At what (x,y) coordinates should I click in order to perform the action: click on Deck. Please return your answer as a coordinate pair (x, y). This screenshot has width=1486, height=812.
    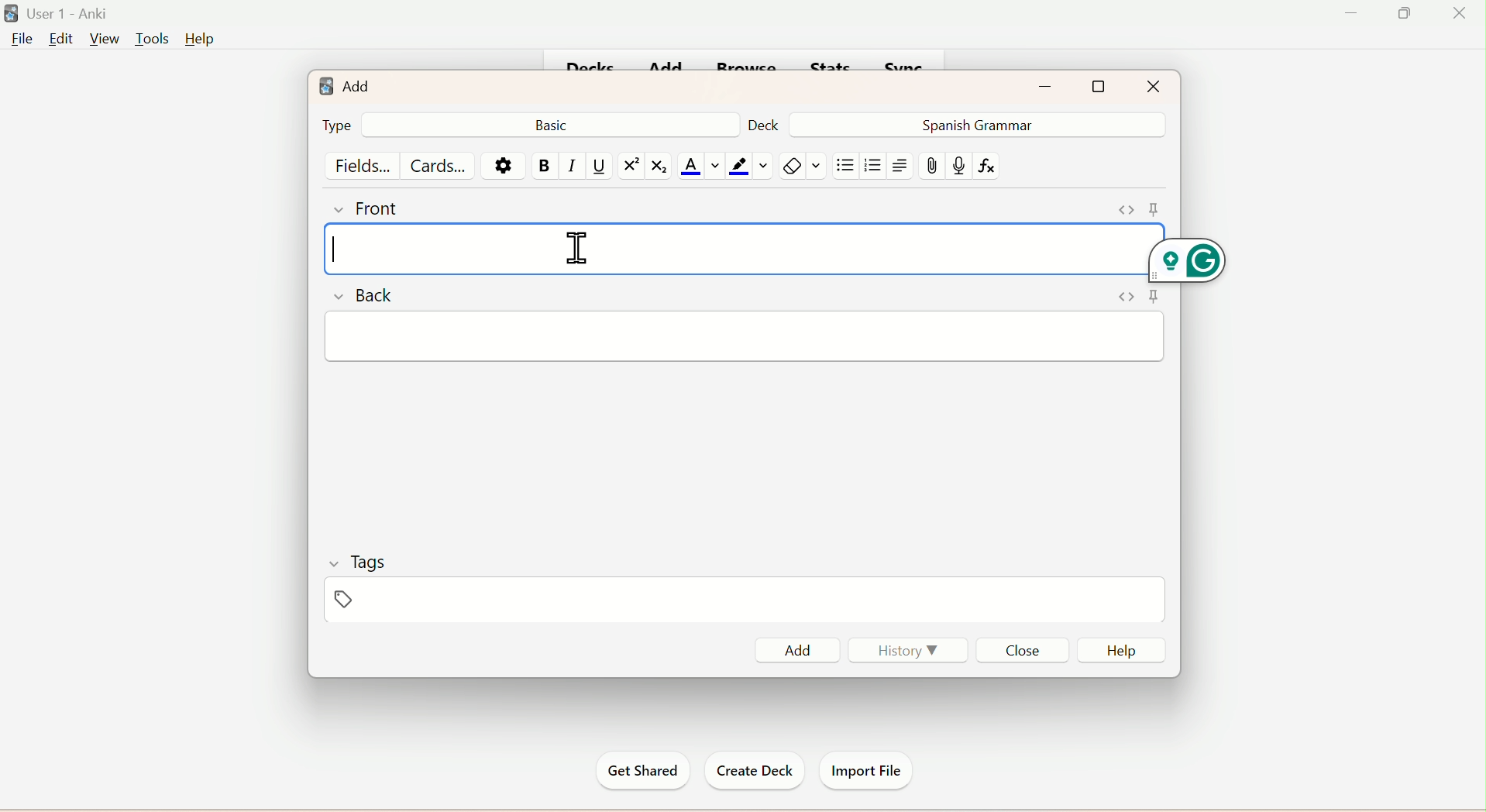
    Looking at the image, I should click on (764, 124).